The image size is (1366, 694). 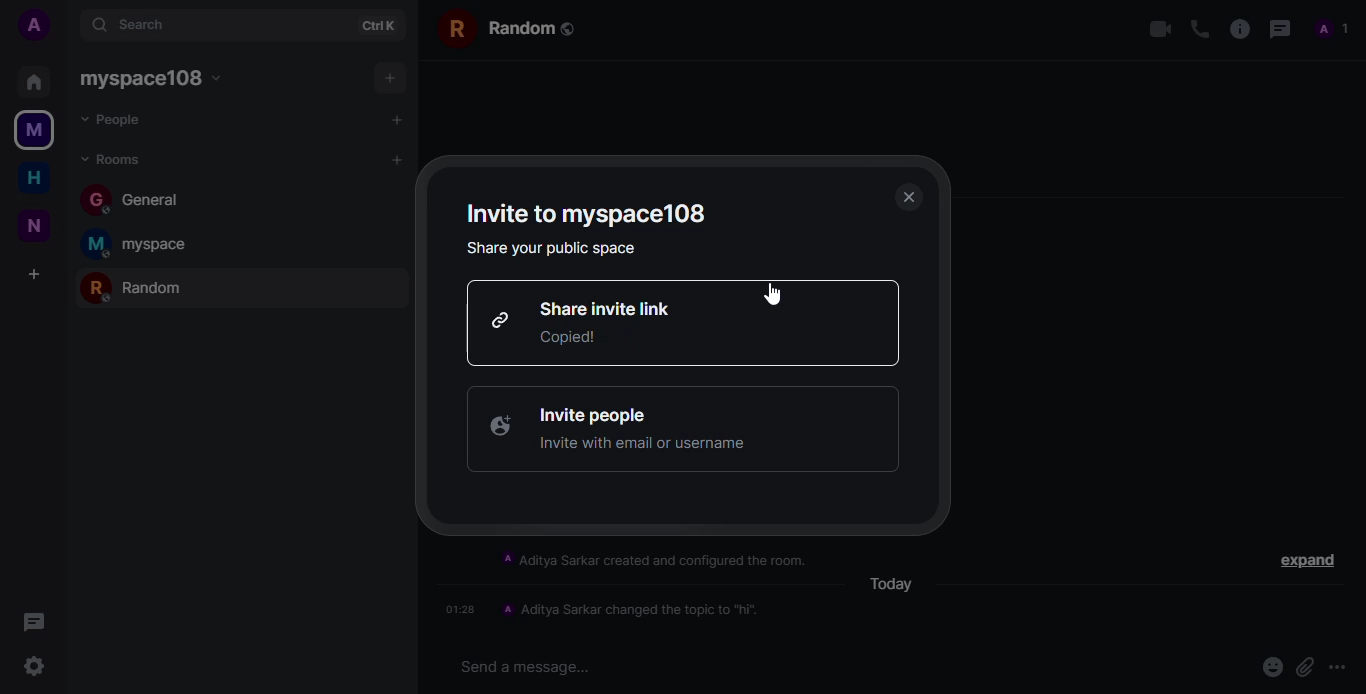 What do you see at coordinates (1345, 664) in the screenshot?
I see `more` at bounding box center [1345, 664].